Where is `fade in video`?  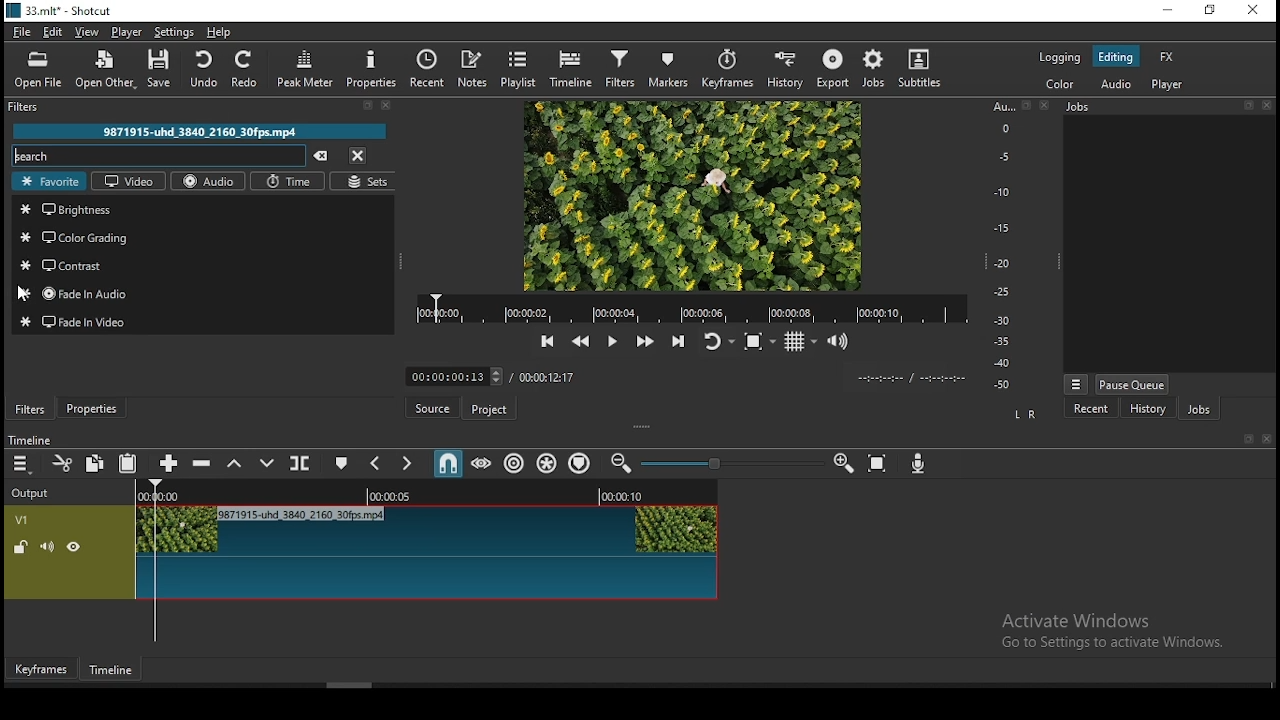
fade in video is located at coordinates (202, 322).